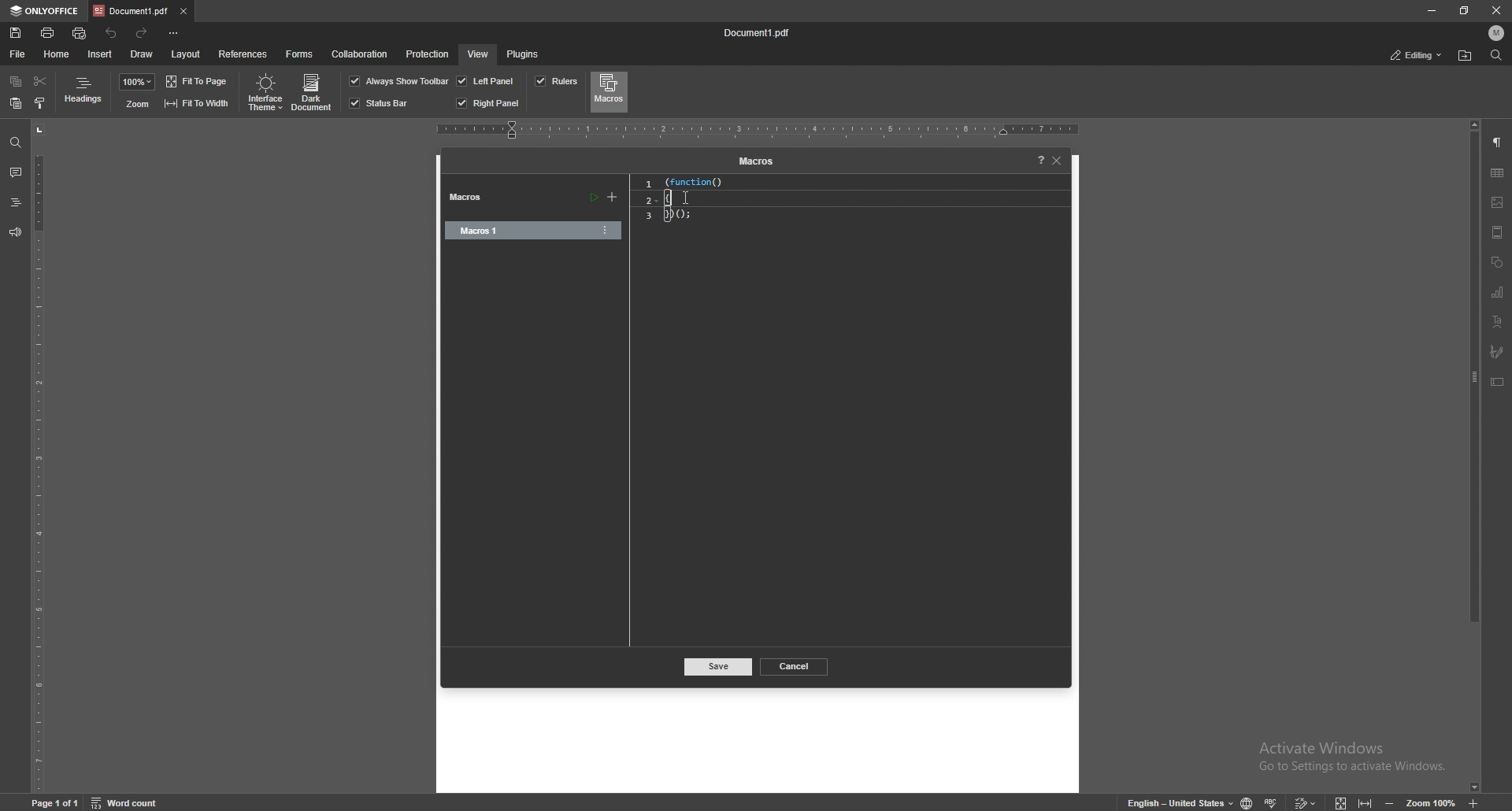 This screenshot has height=811, width=1512. I want to click on ();, so click(687, 216).